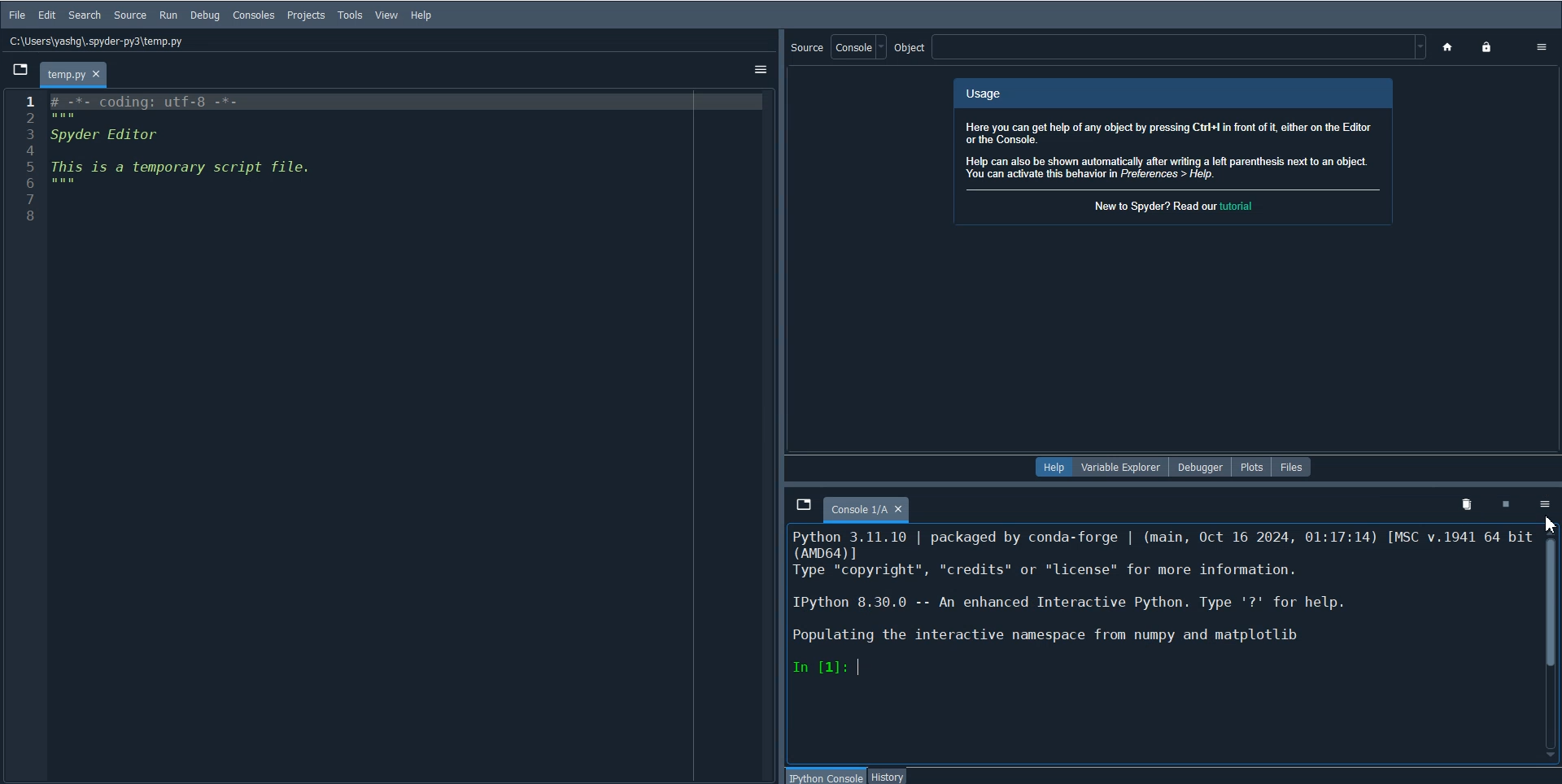  What do you see at coordinates (1542, 46) in the screenshot?
I see `Option` at bounding box center [1542, 46].